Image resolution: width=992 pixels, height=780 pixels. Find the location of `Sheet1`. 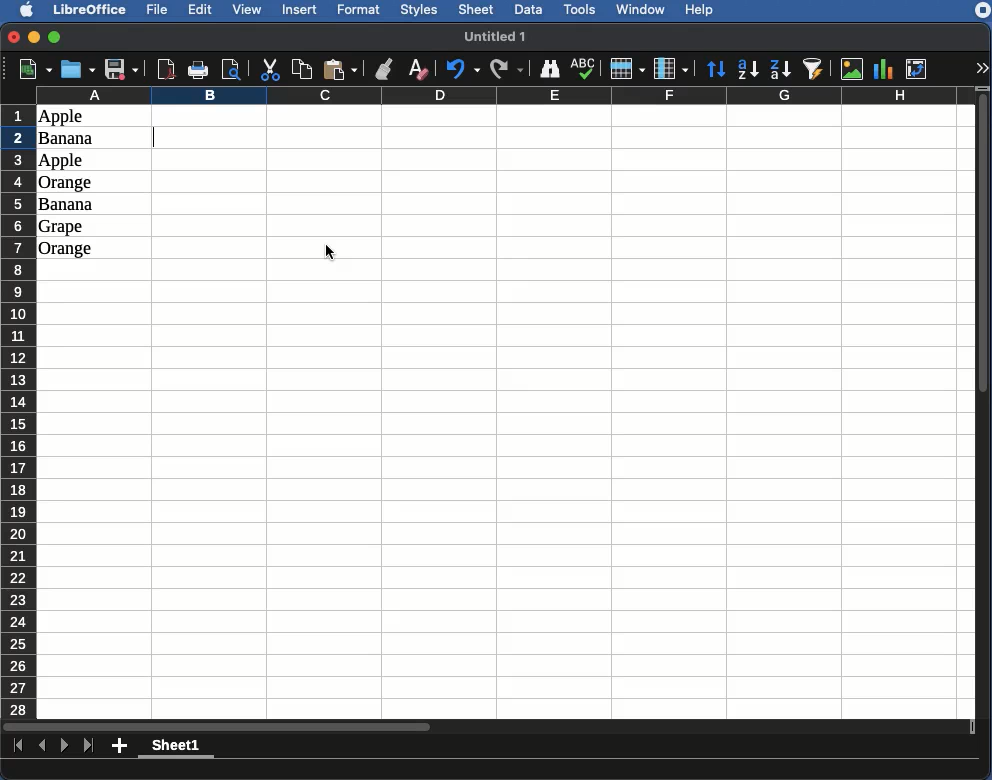

Sheet1 is located at coordinates (177, 748).